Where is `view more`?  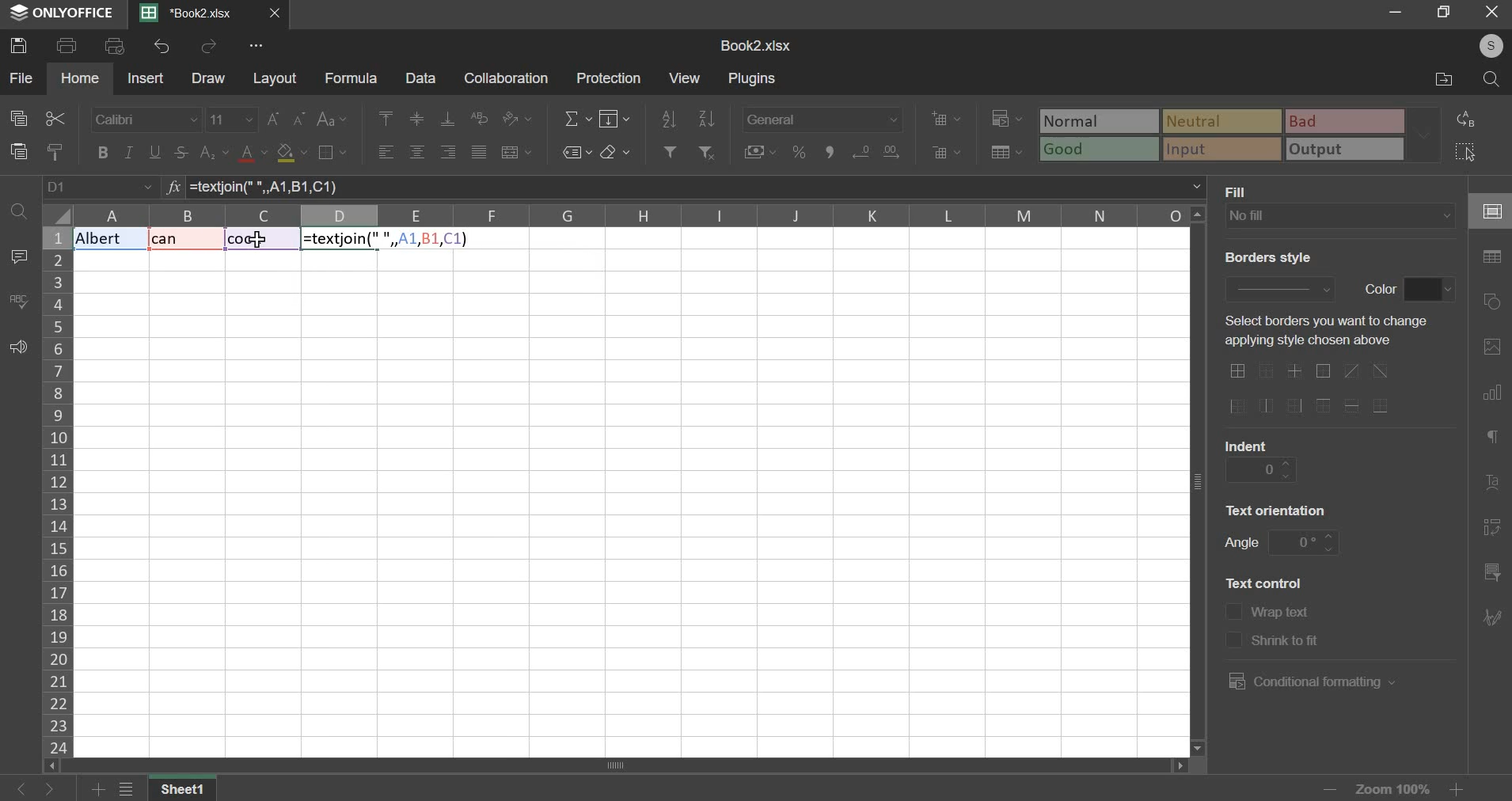 view more is located at coordinates (258, 46).